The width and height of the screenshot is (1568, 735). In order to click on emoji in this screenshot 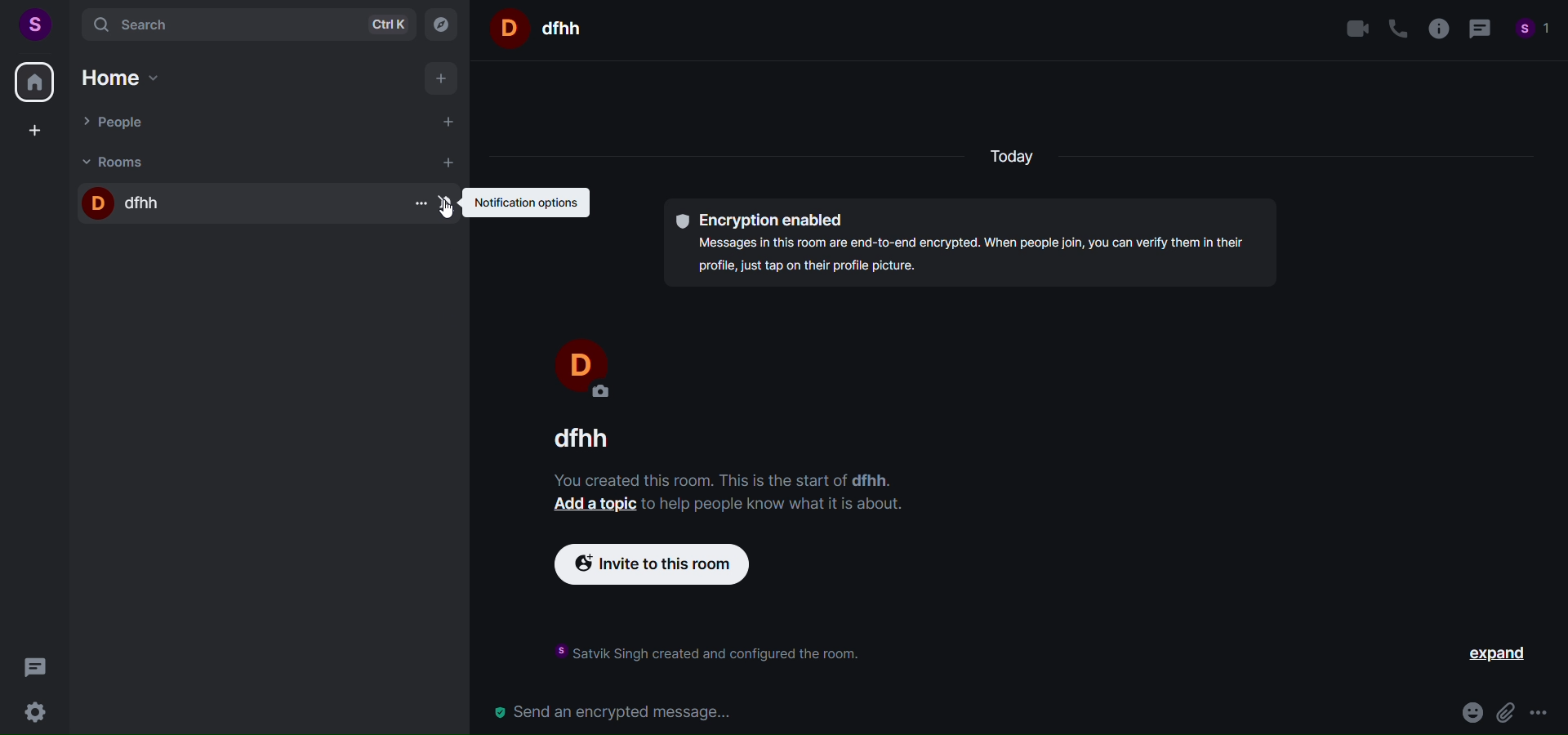, I will do `click(1470, 710)`.